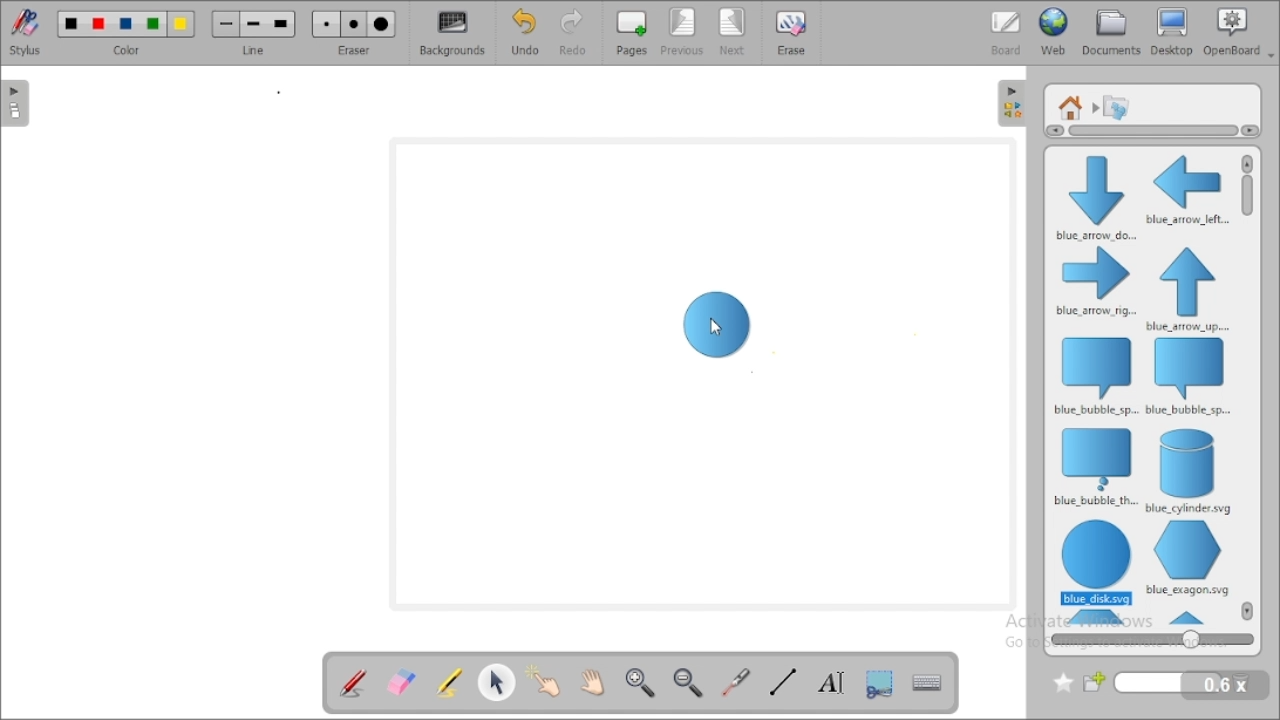 The width and height of the screenshot is (1280, 720). Describe the element at coordinates (1190, 377) in the screenshot. I see `blue bubble speak left` at that location.